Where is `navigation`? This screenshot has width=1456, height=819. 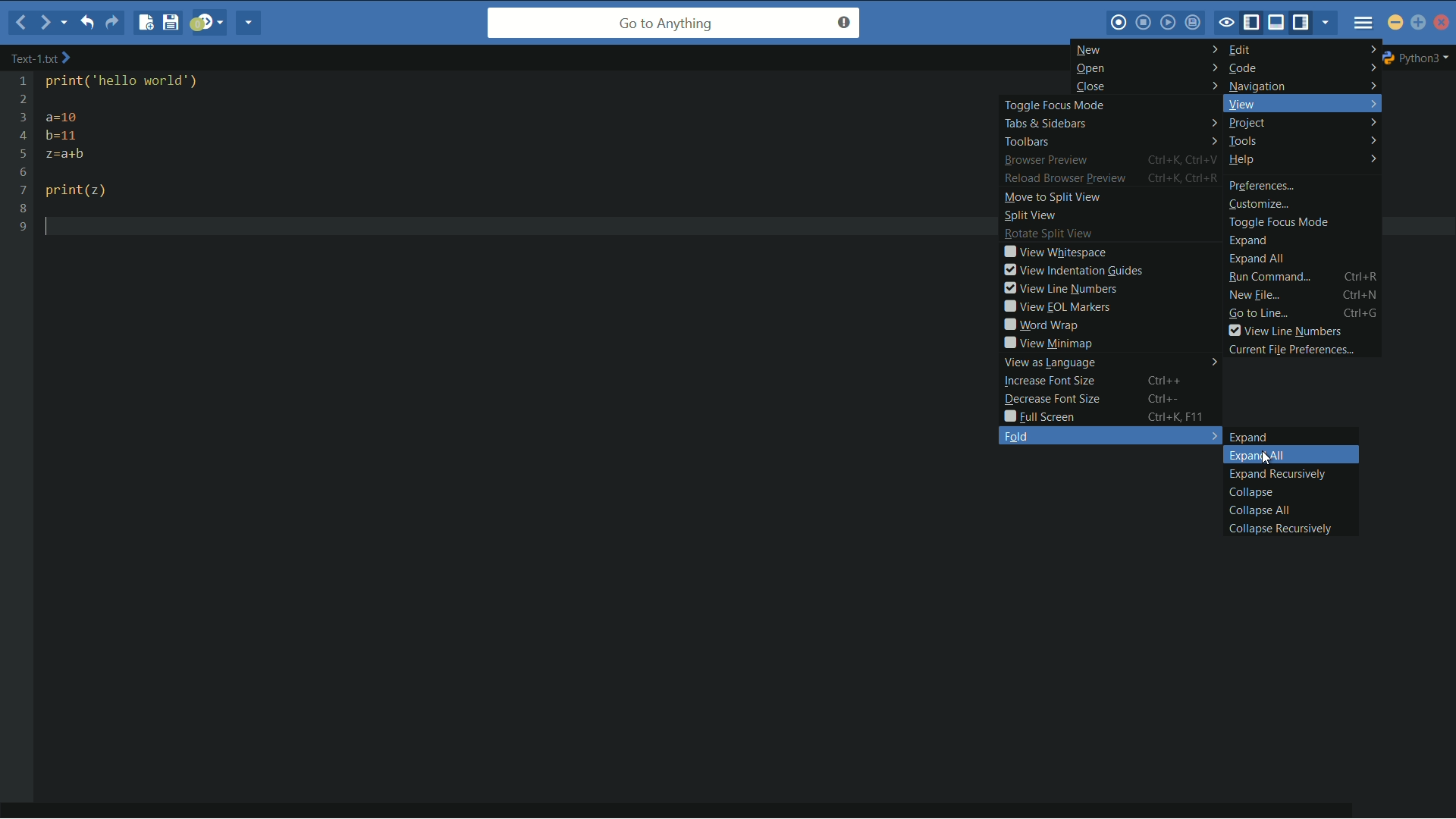 navigation is located at coordinates (1298, 86).